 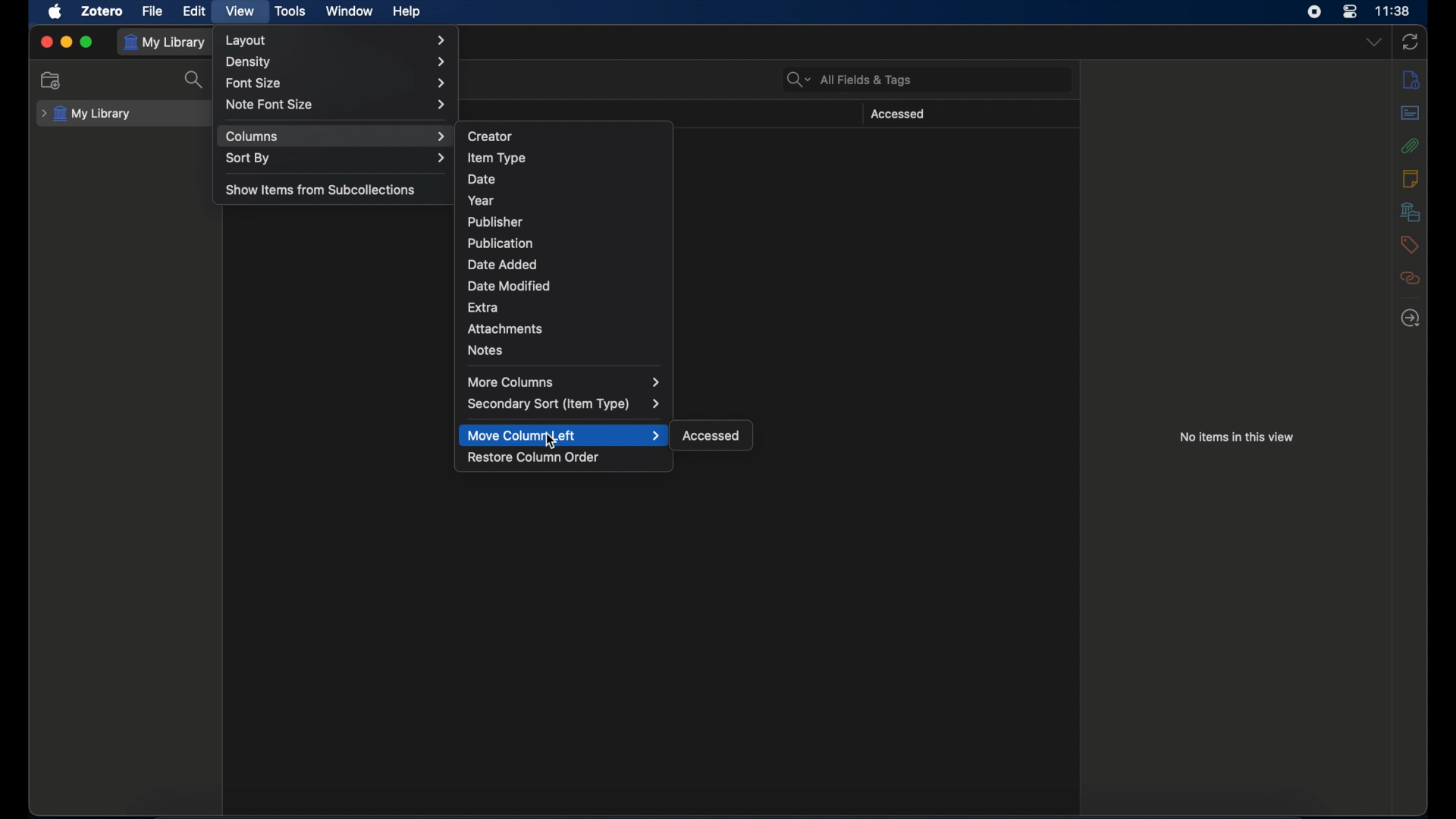 I want to click on info, so click(x=1410, y=80).